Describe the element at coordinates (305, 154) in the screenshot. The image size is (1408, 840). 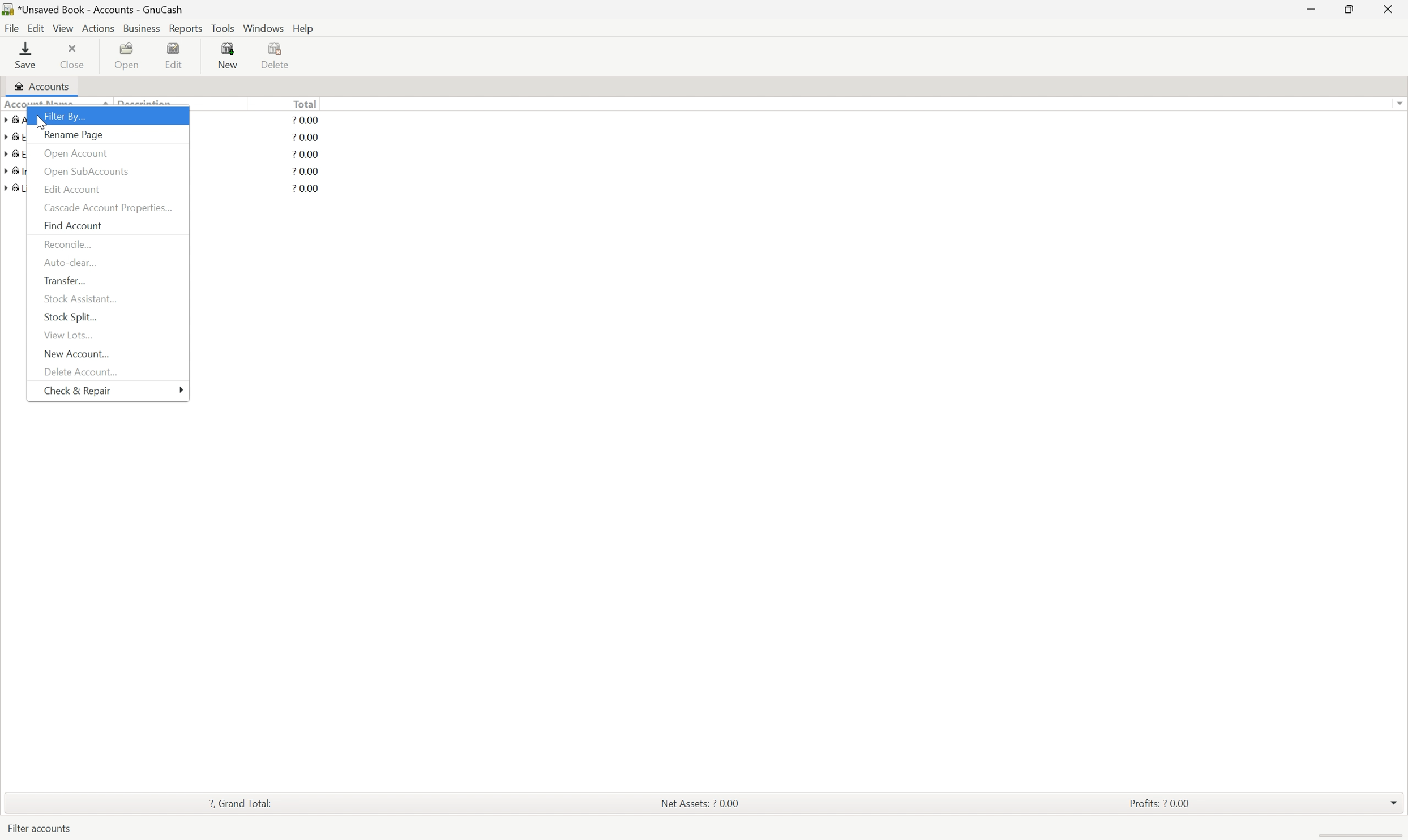
I see `? 0.00` at that location.